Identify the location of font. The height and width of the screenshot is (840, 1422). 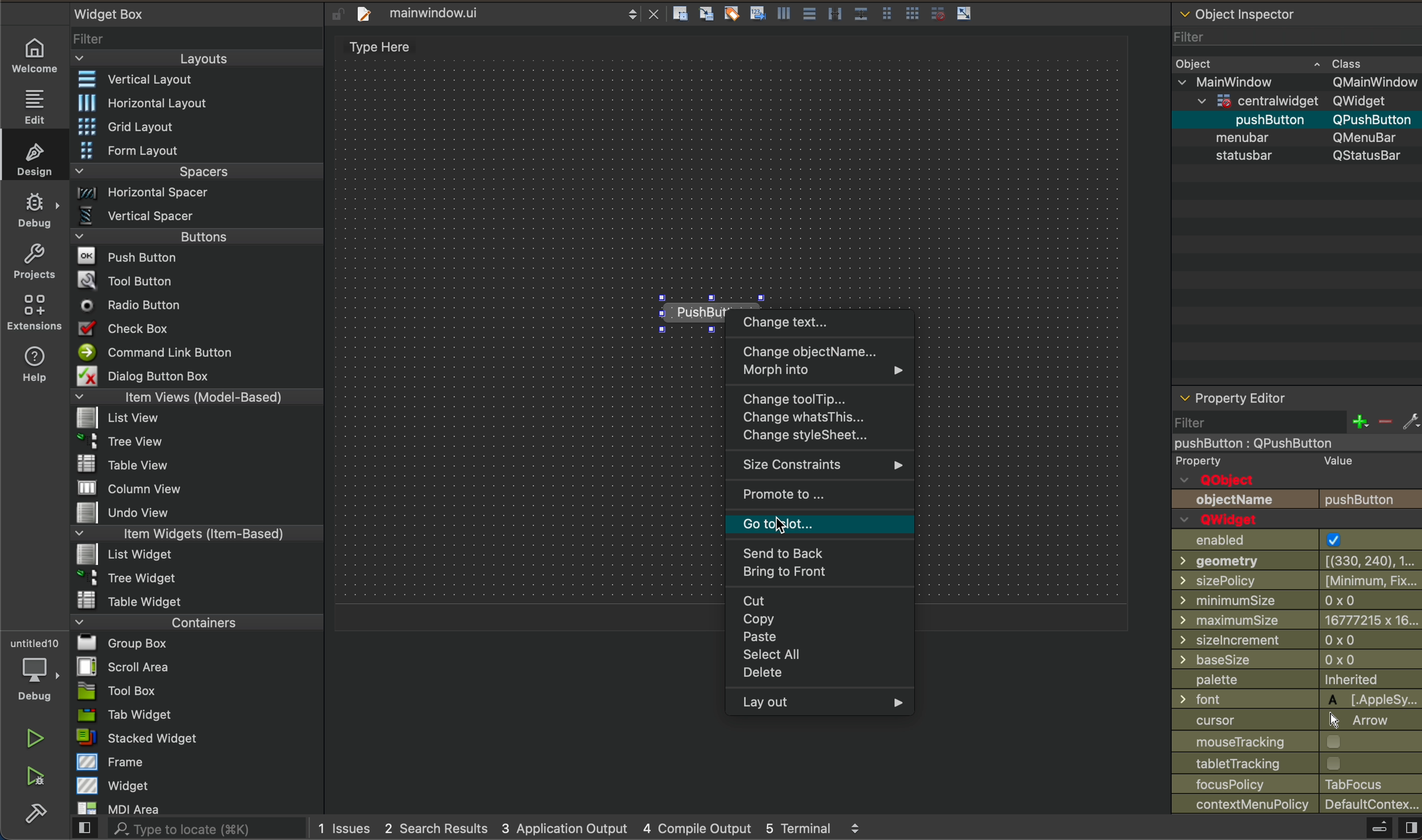
(1297, 699).